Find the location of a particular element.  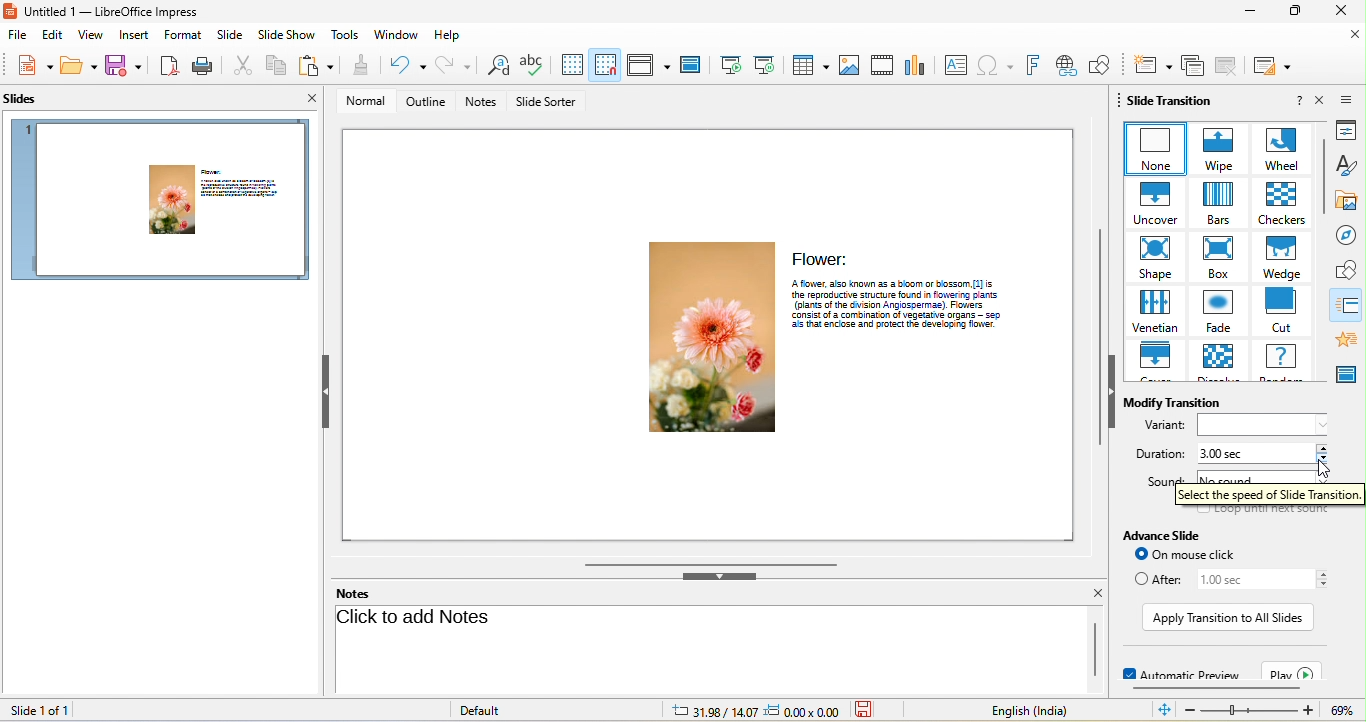

find and replace is located at coordinates (495, 66).